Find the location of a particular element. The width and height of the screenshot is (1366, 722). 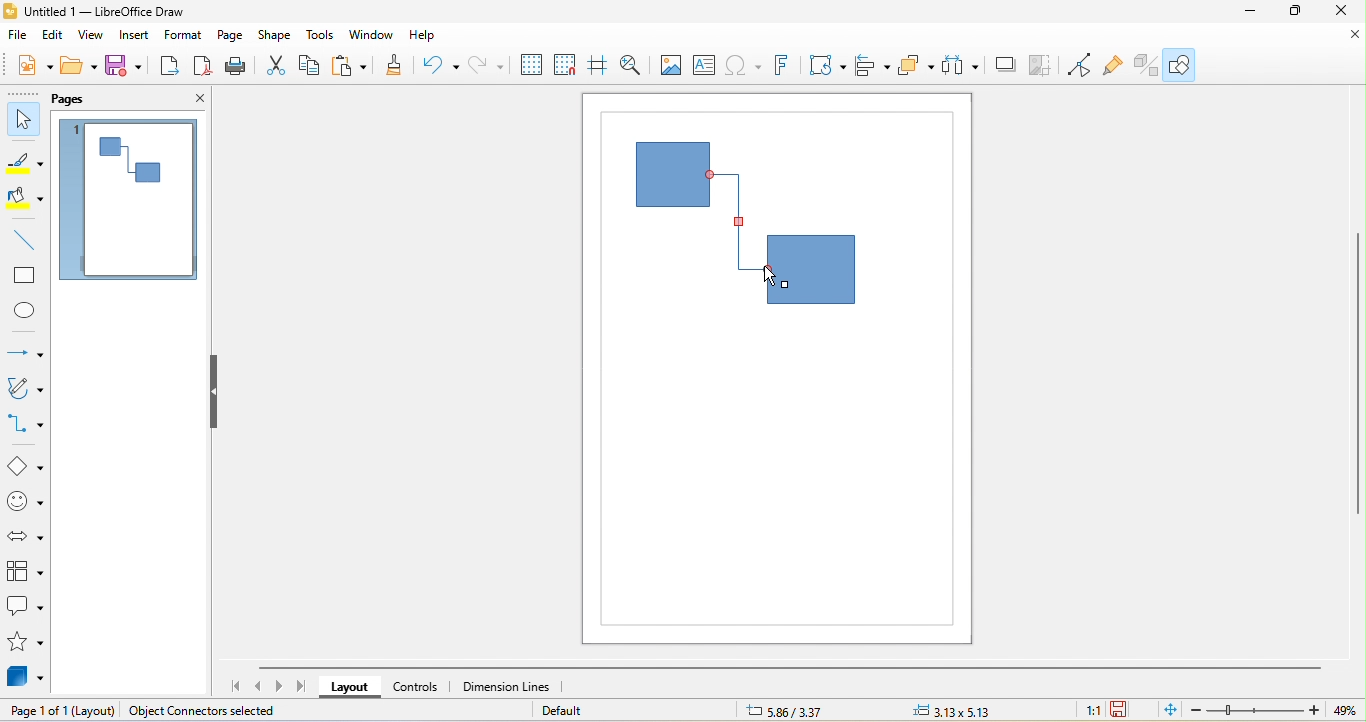

symbol shape is located at coordinates (28, 502).